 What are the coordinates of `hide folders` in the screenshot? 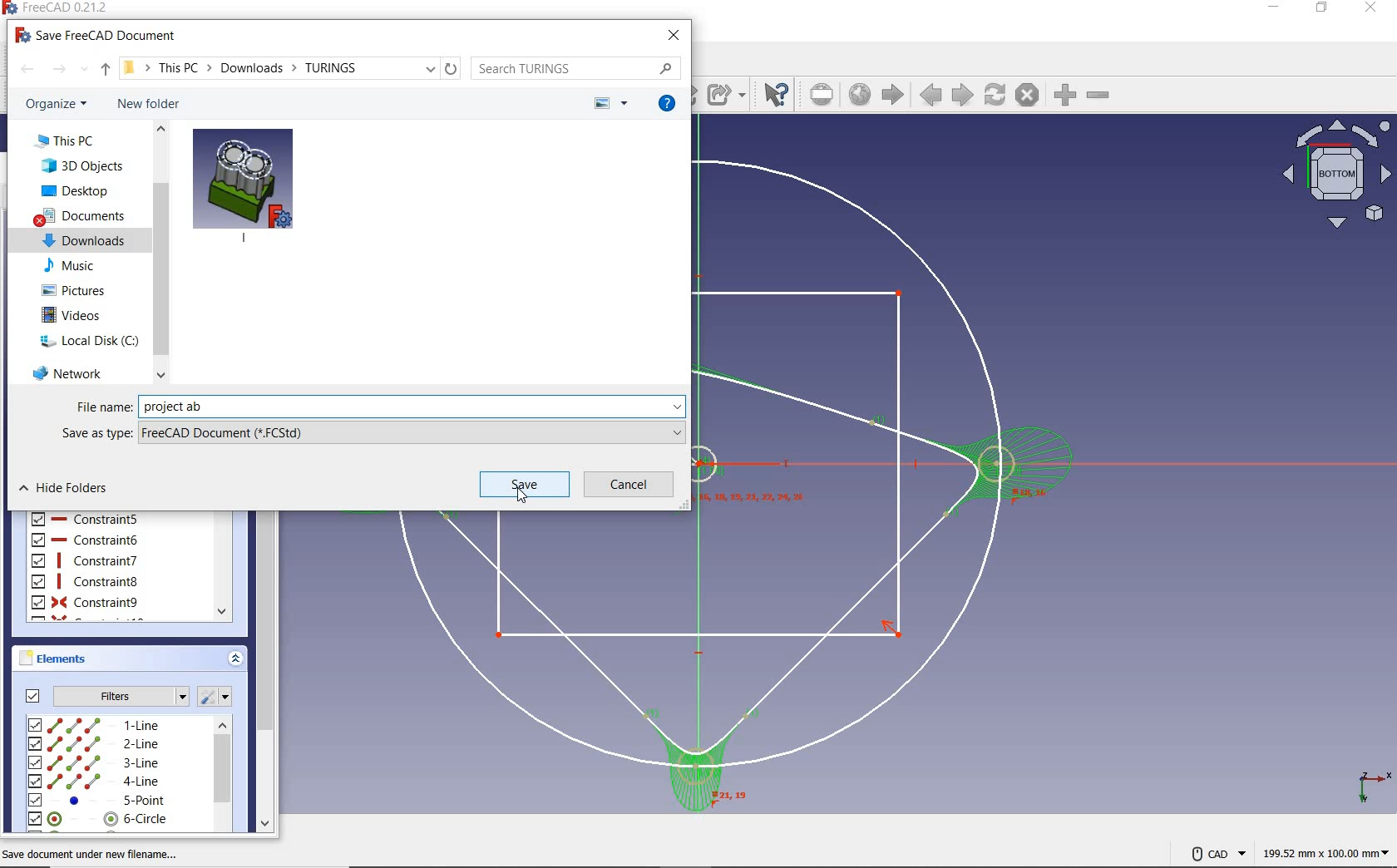 It's located at (64, 487).